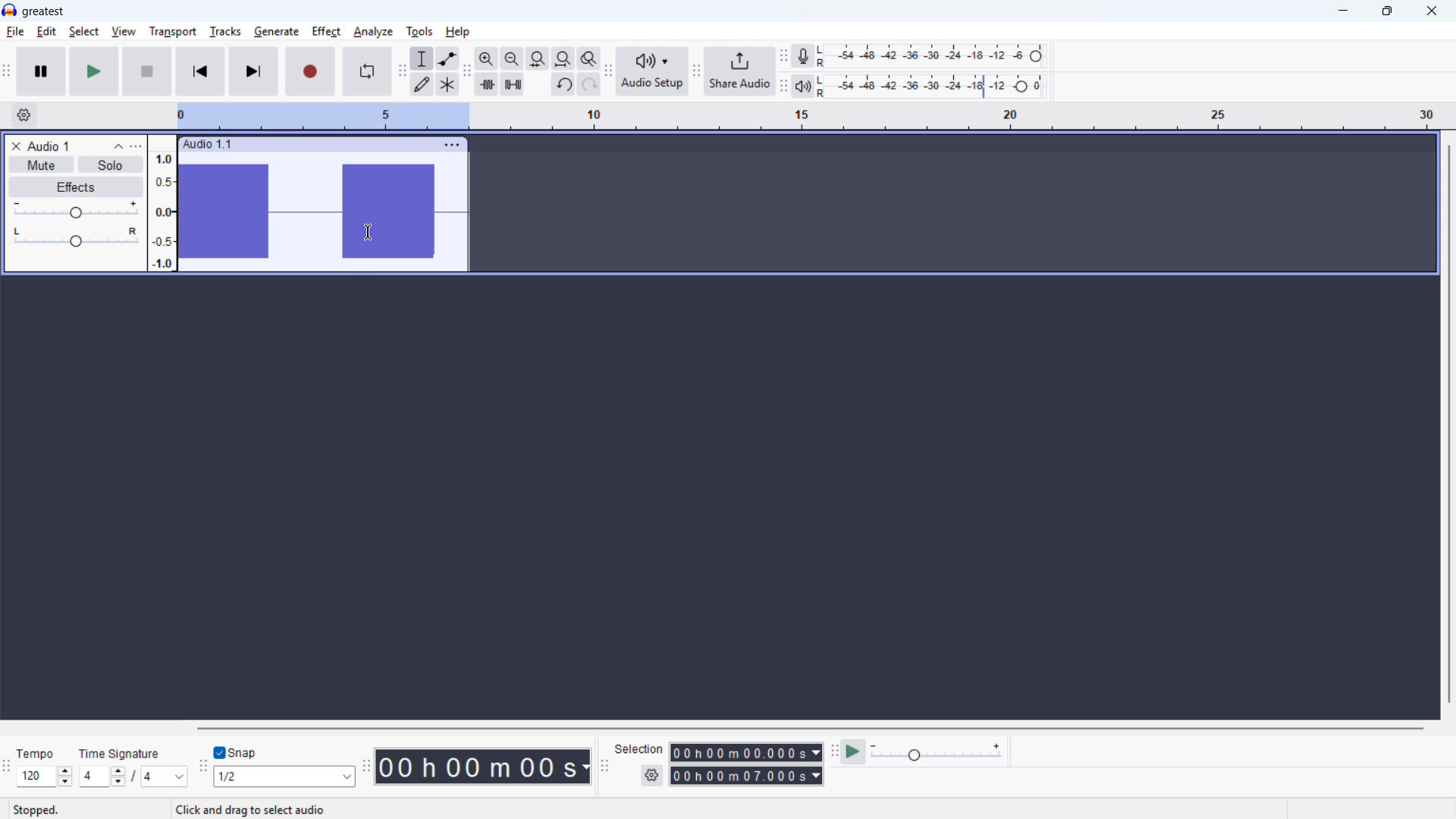 The height and width of the screenshot is (819, 1456). What do you see at coordinates (7, 73) in the screenshot?
I see `transport toolbar` at bounding box center [7, 73].